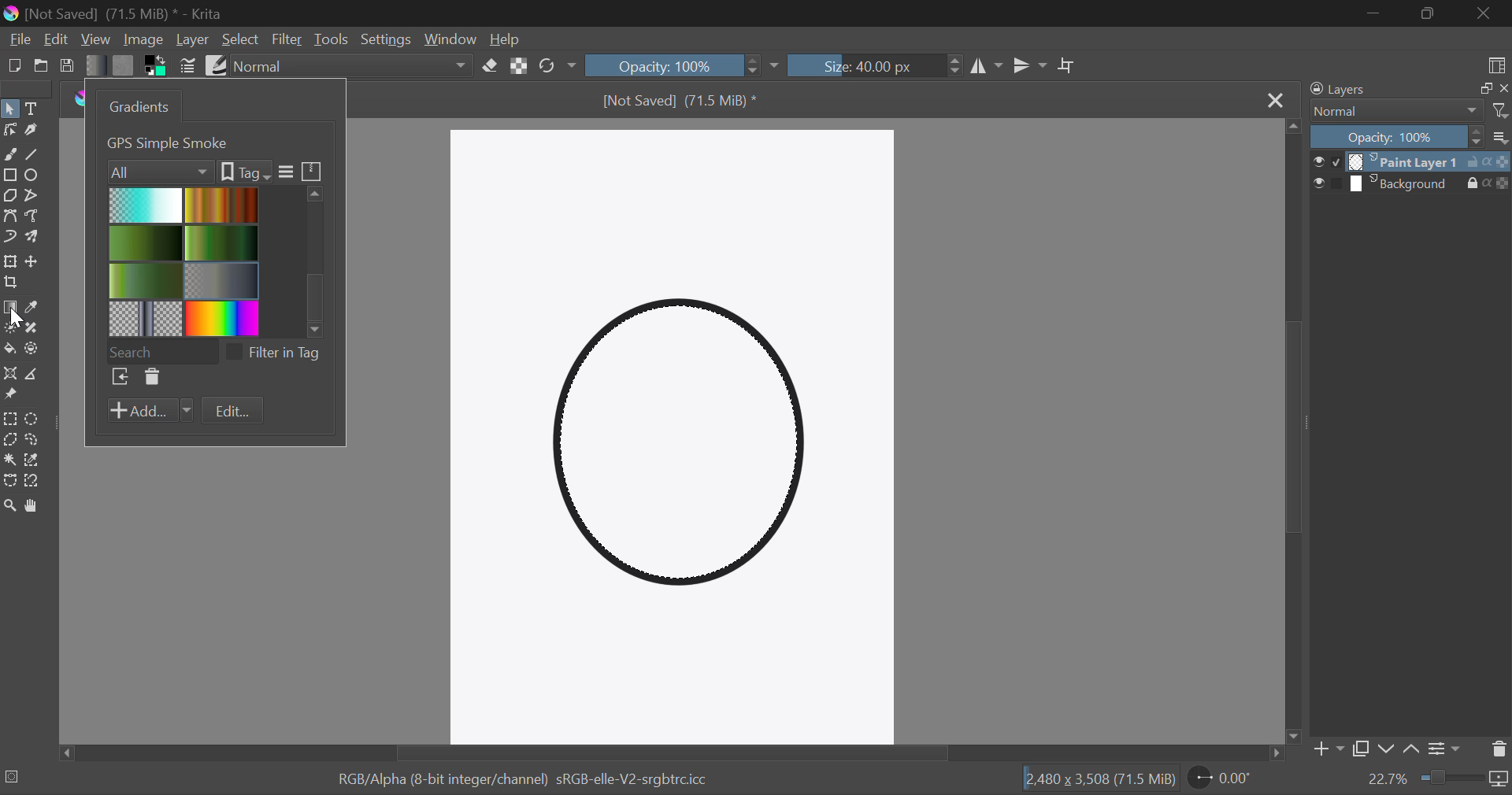  I want to click on Opacity, so click(674, 65).